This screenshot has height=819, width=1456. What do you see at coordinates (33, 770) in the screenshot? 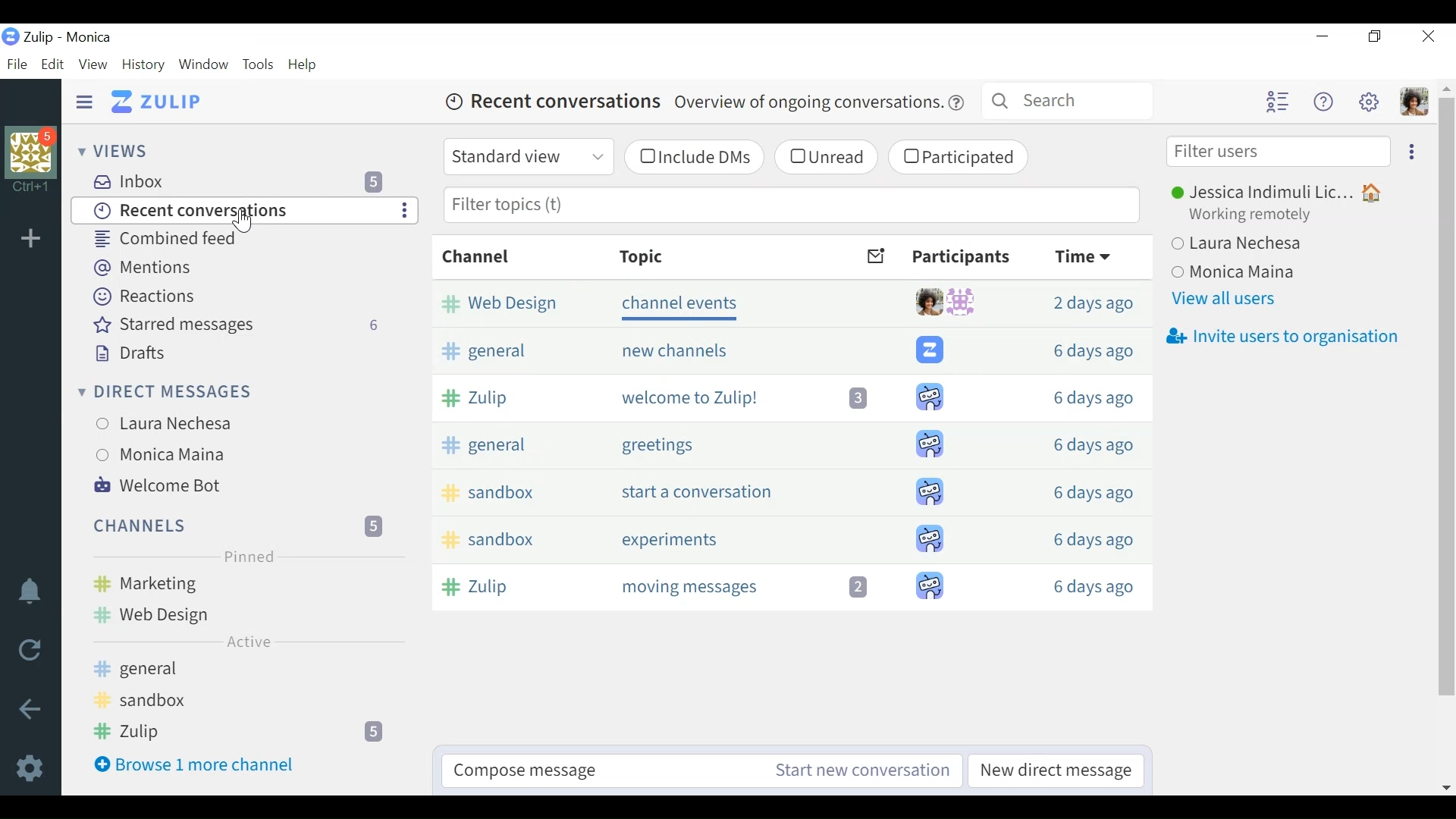
I see `Settings` at bounding box center [33, 770].